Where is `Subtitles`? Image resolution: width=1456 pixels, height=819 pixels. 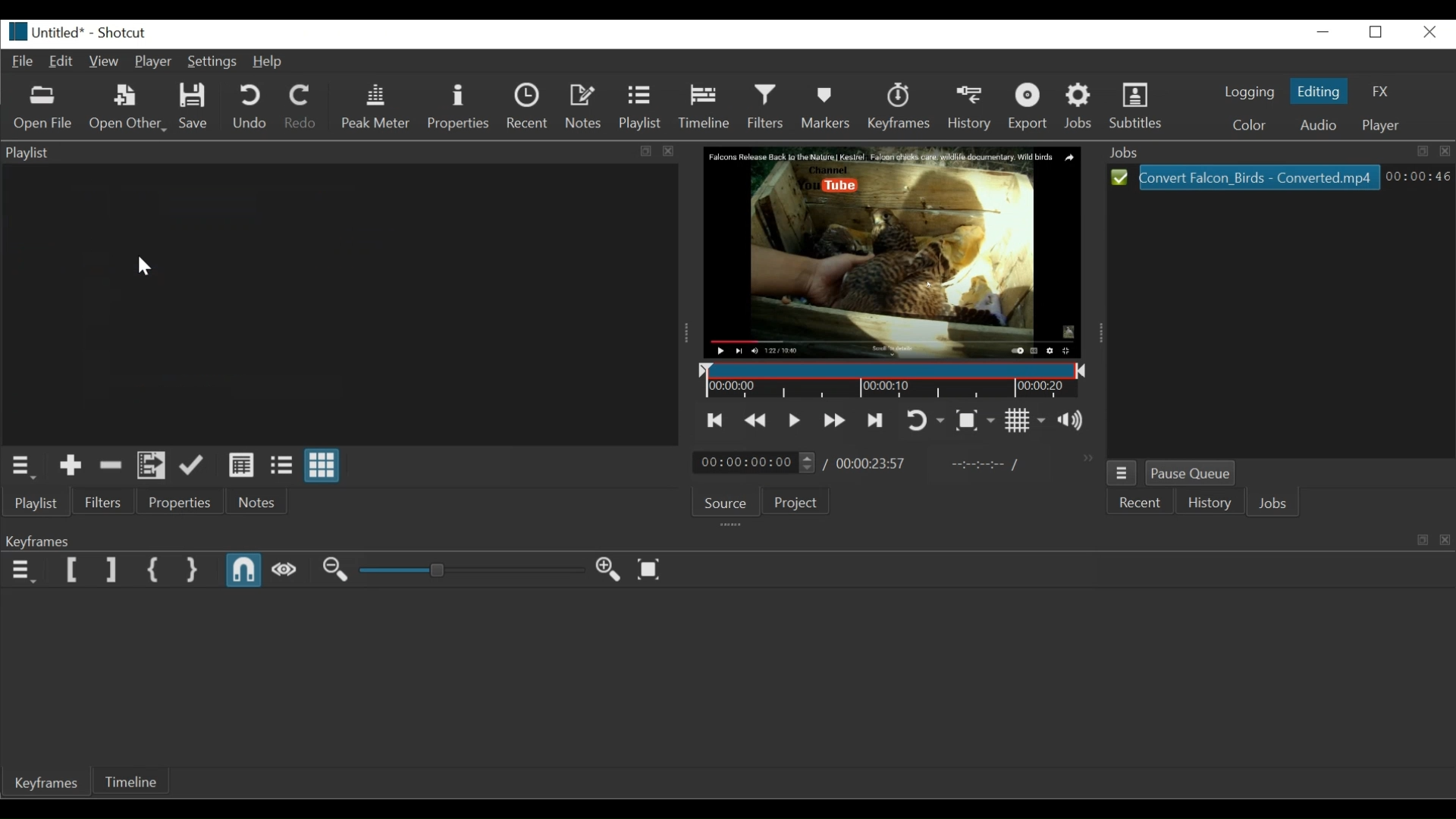
Subtitles is located at coordinates (1141, 107).